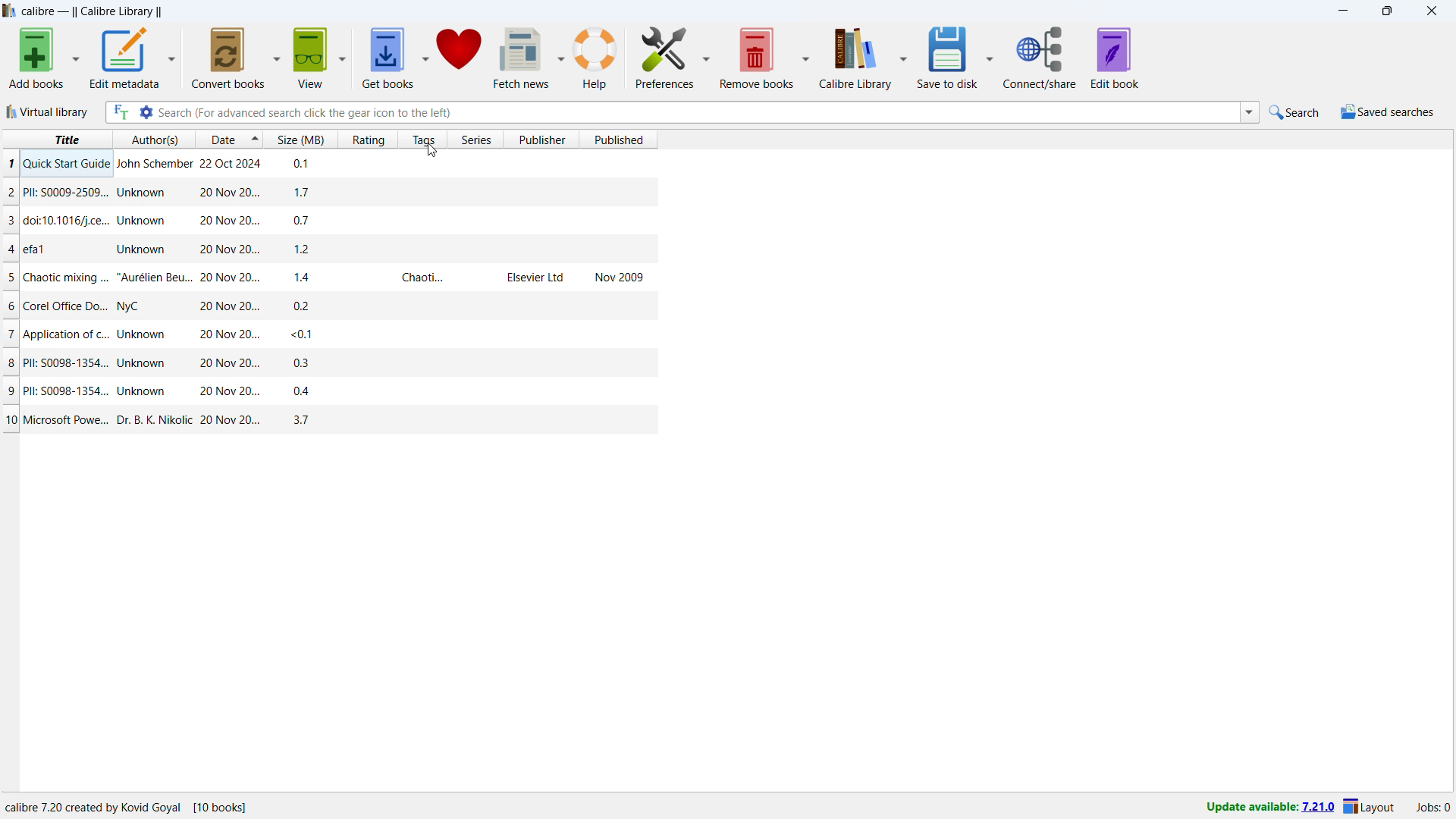 The image size is (1456, 819). I want to click on , so click(461, 55).